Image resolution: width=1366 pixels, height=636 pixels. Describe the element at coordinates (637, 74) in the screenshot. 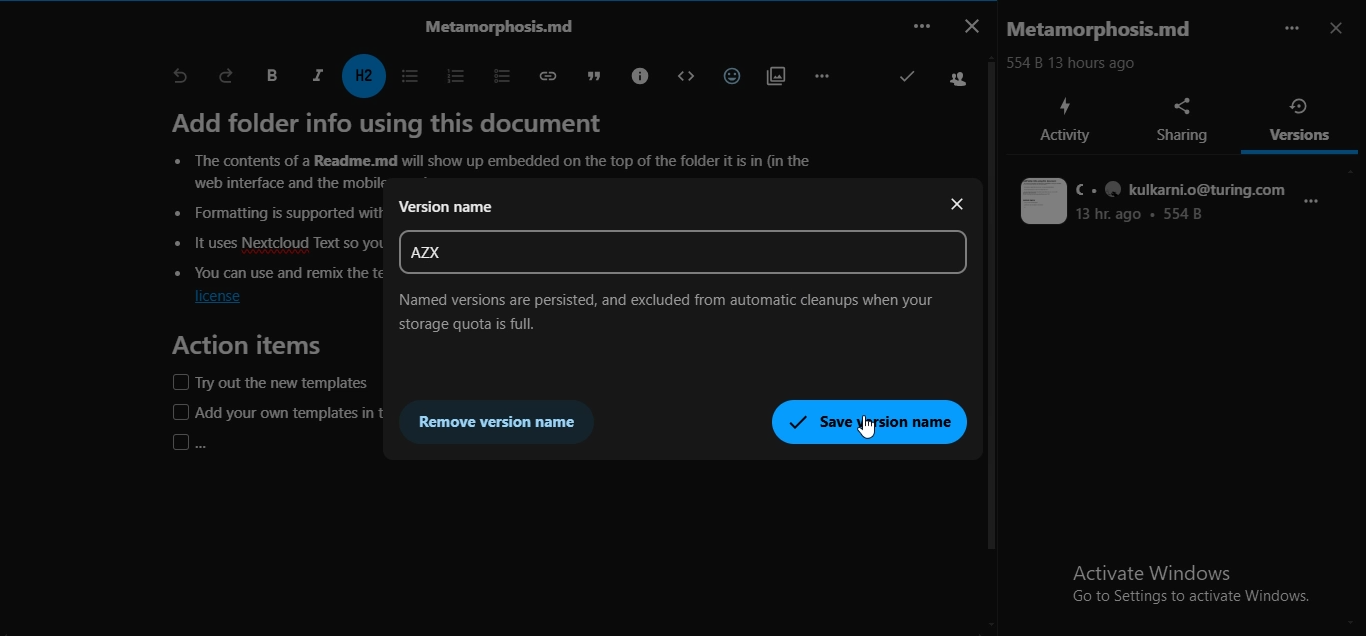

I see `callouts` at that location.